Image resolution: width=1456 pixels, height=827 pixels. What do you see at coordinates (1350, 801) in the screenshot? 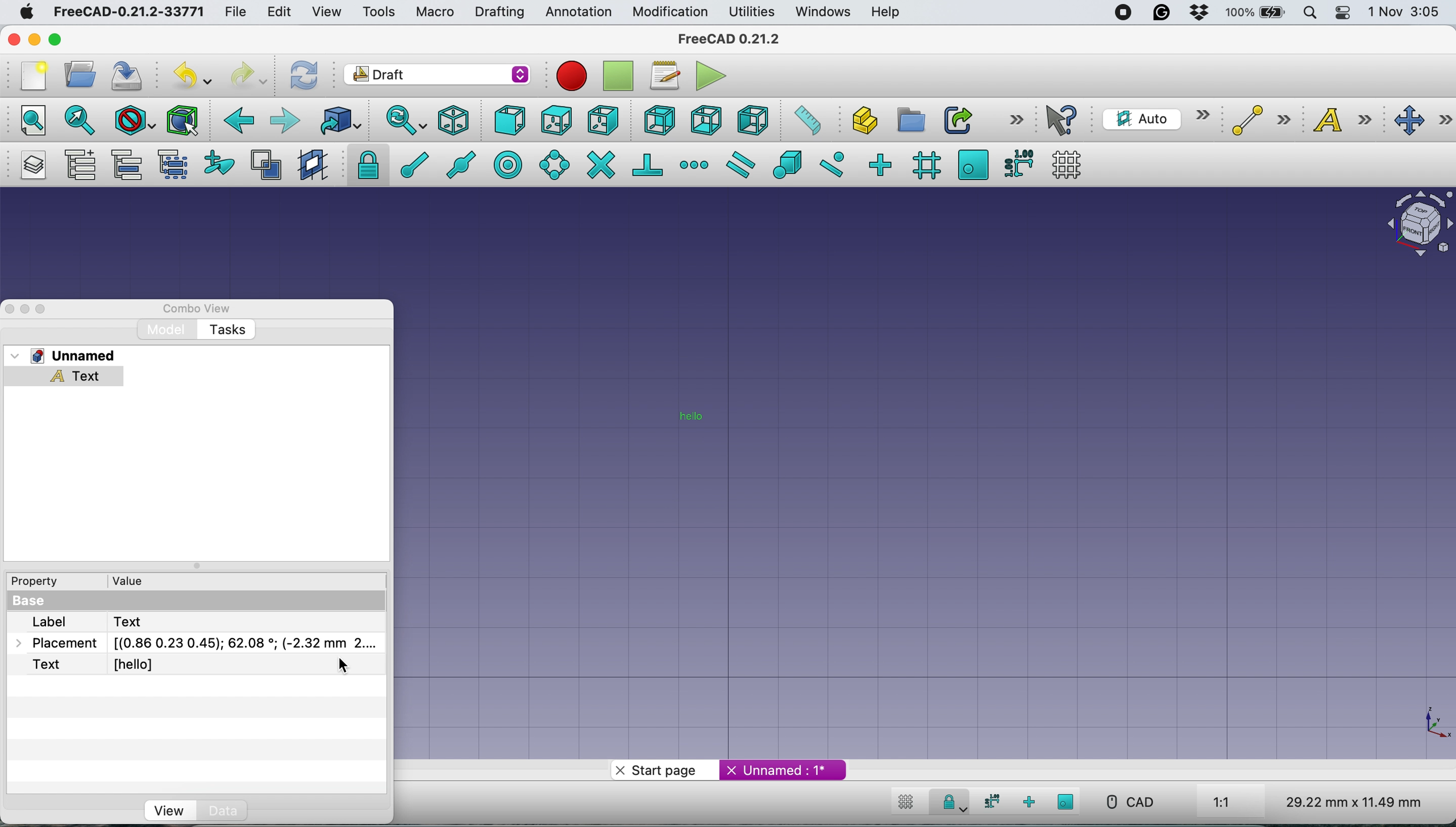
I see `dimensions` at bounding box center [1350, 801].